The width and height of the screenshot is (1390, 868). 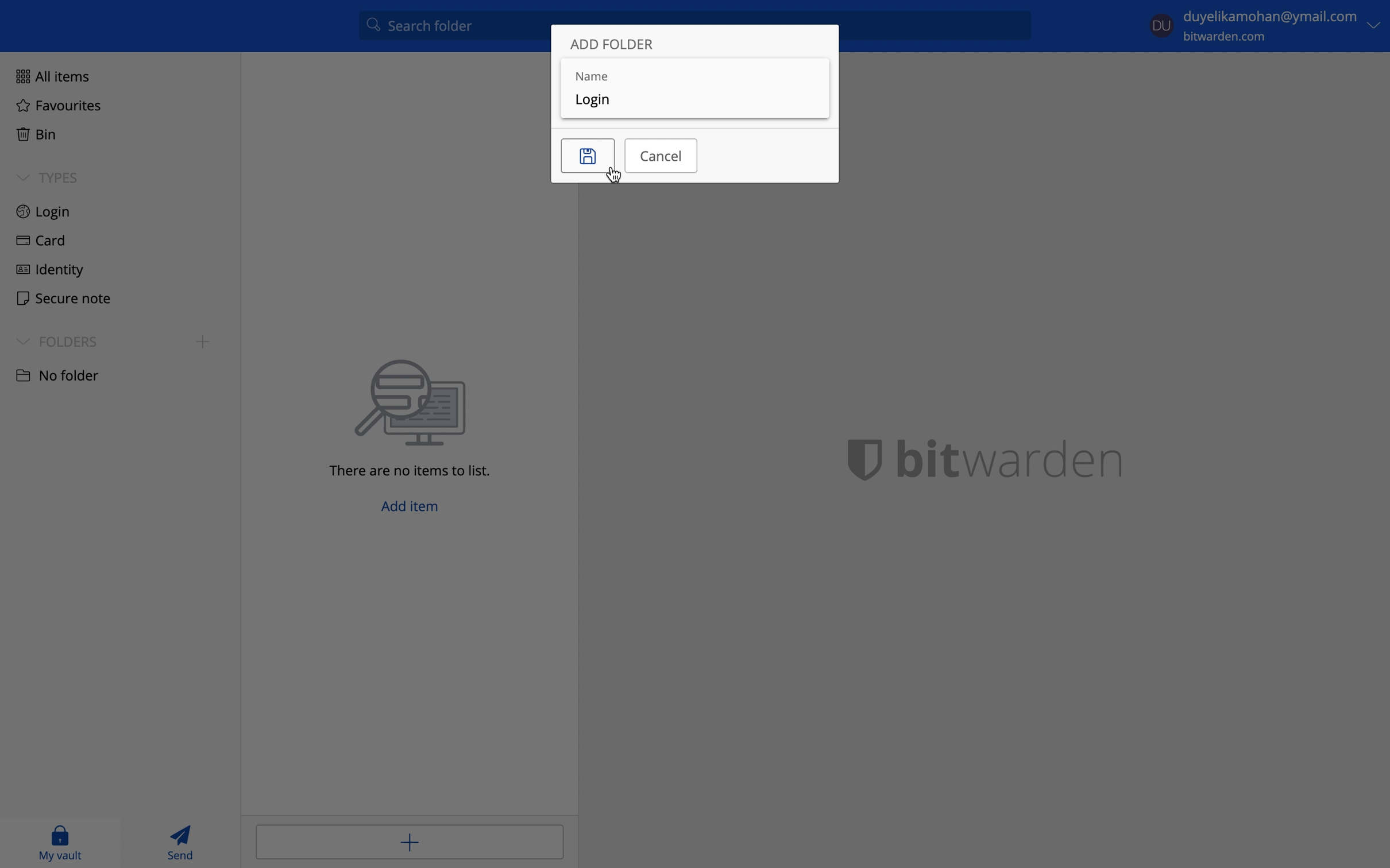 I want to click on Name, so click(x=694, y=71).